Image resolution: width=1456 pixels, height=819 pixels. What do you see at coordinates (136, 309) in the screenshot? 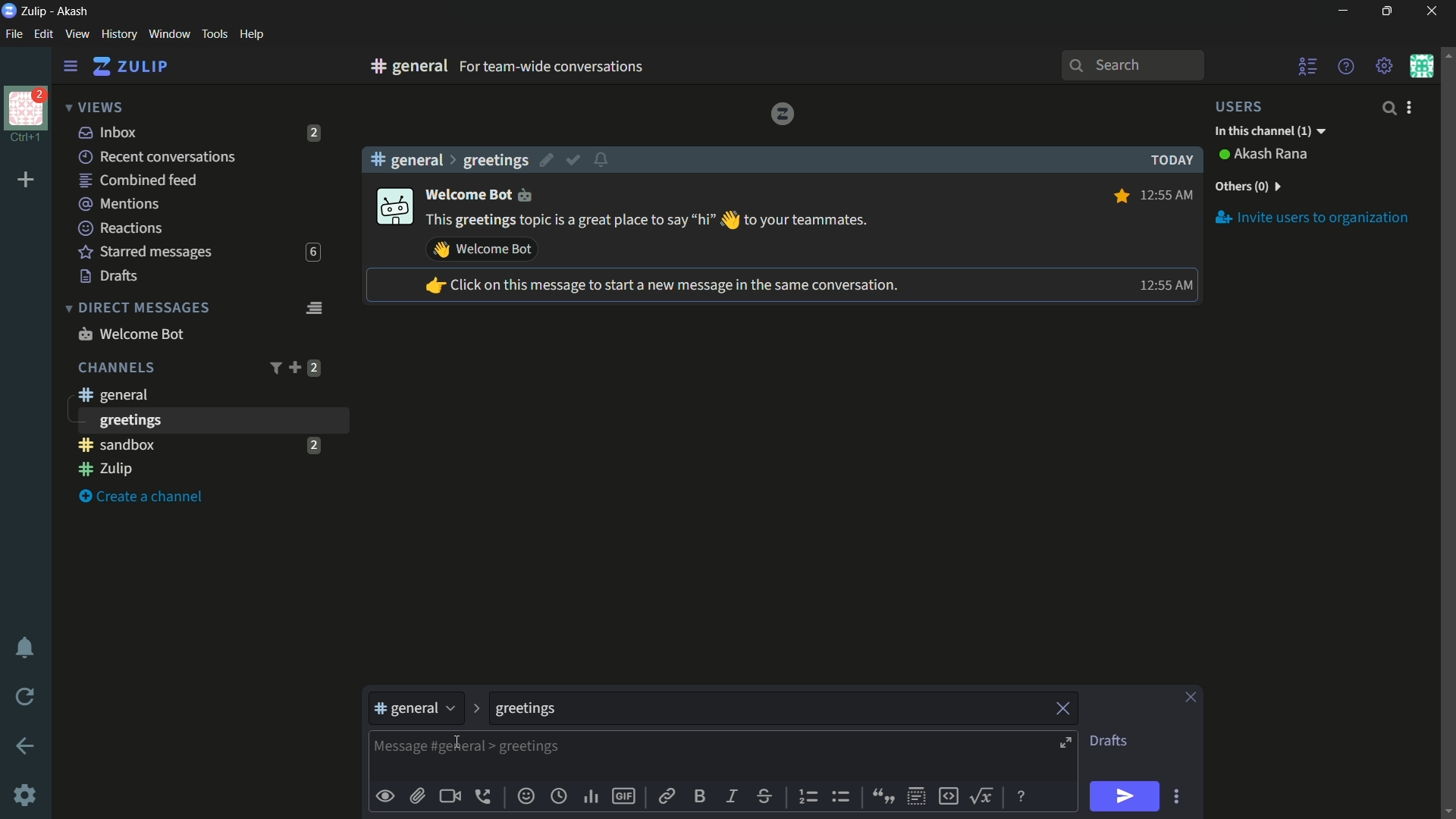
I see `direct messages dropdown` at bounding box center [136, 309].